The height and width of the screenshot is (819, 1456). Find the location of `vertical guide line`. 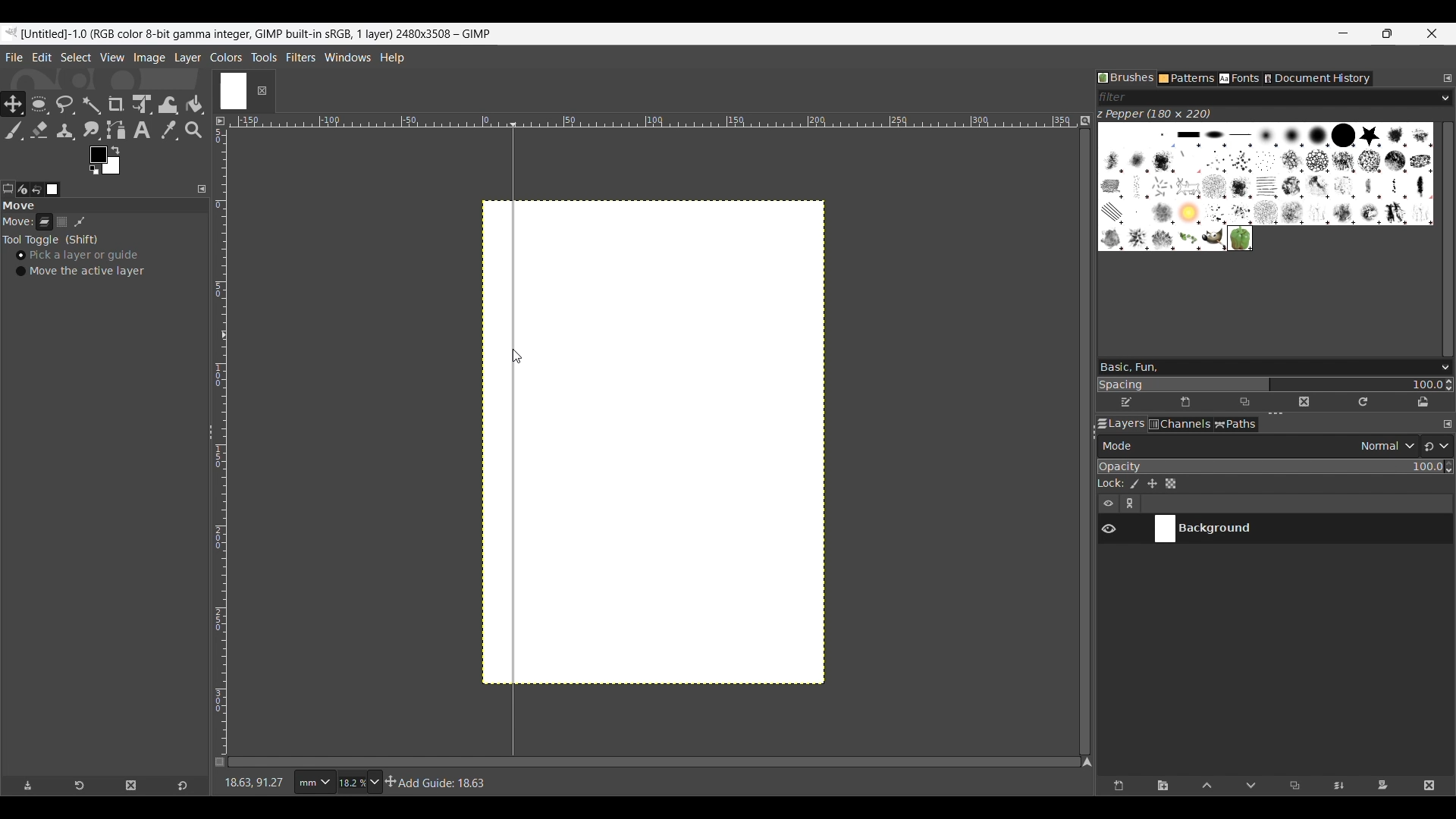

vertical guide line is located at coordinates (511, 435).